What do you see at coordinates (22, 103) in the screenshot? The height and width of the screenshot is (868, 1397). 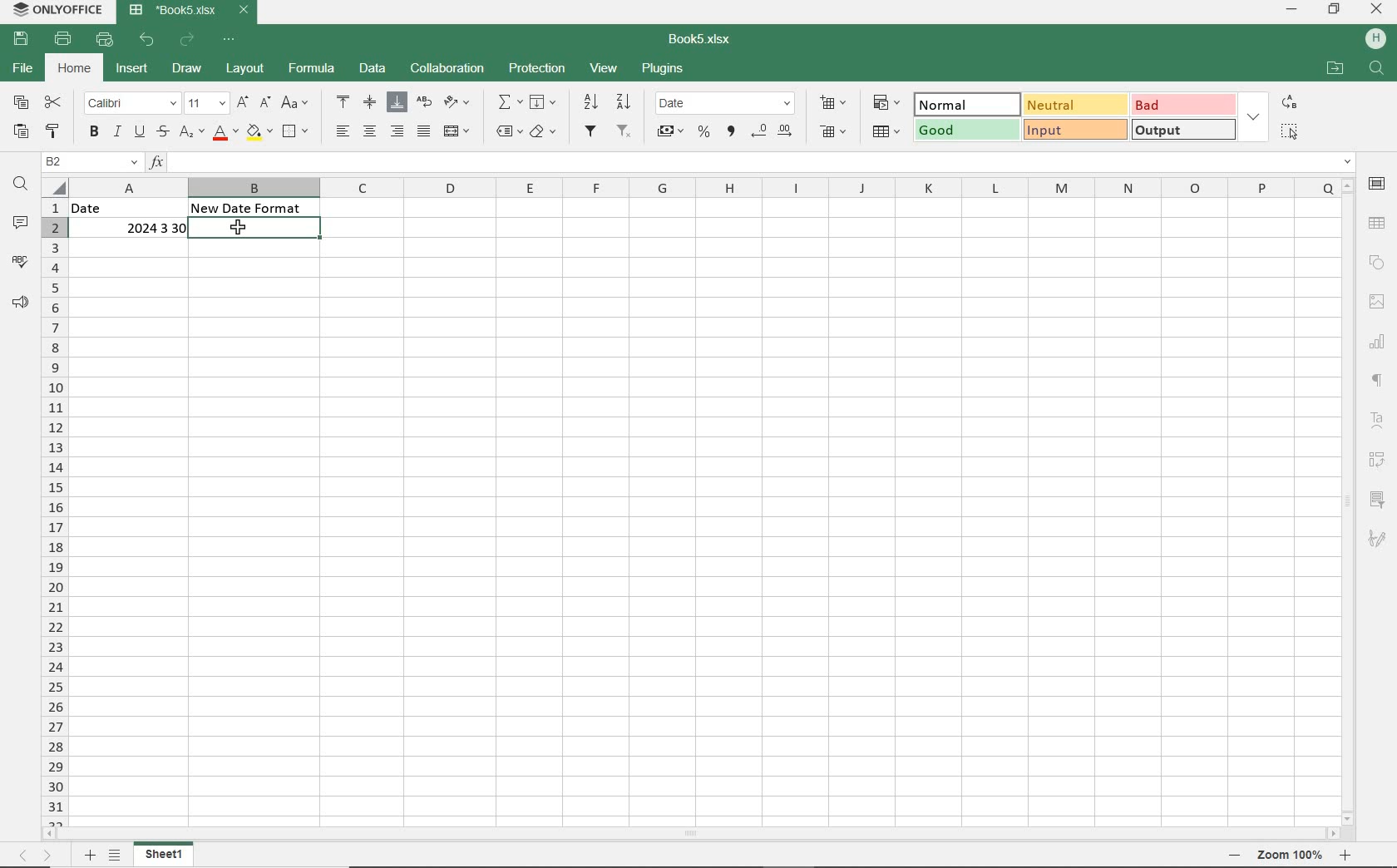 I see `COPY` at bounding box center [22, 103].